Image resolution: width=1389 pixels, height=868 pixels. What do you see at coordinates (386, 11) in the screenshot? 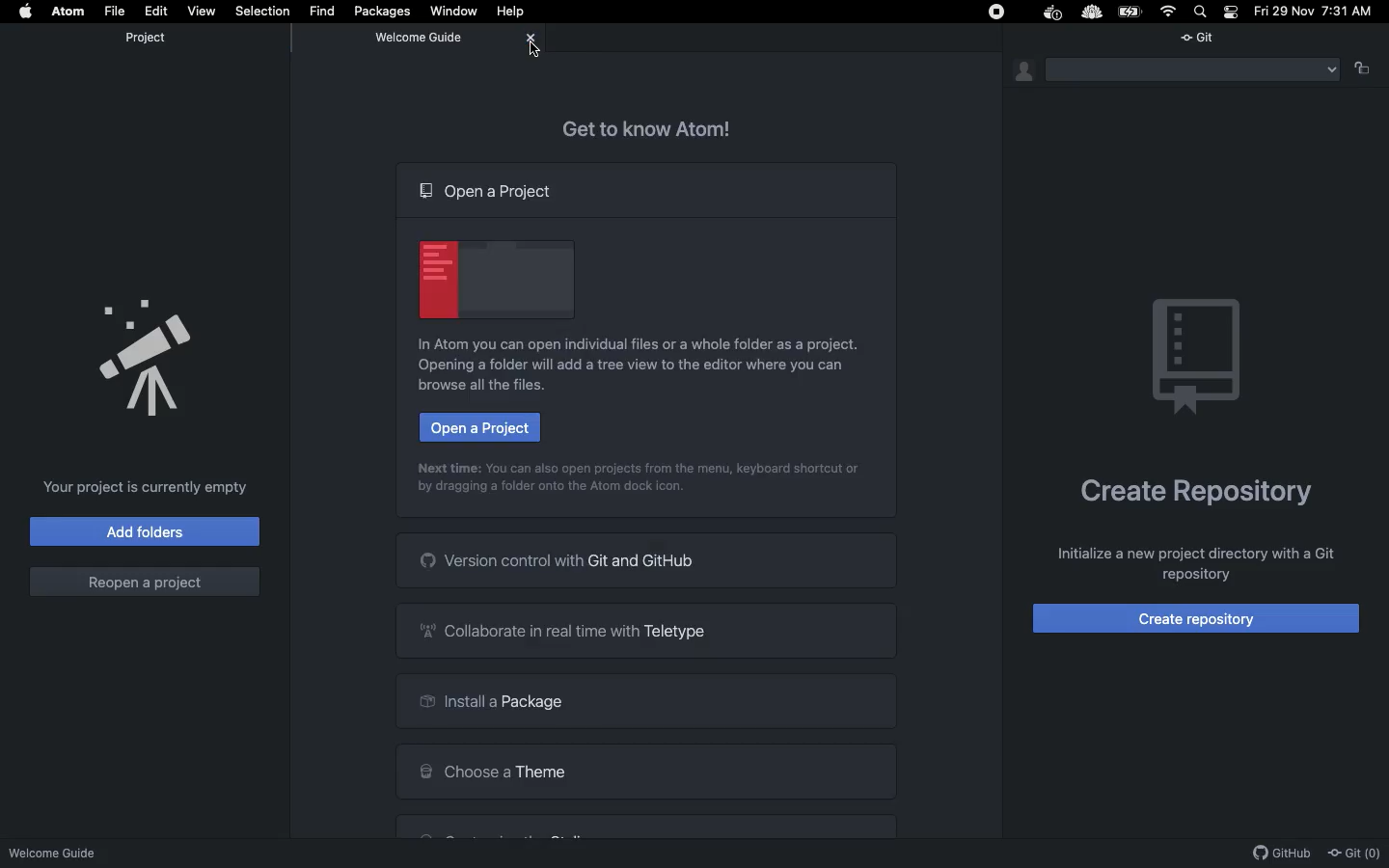
I see `Packages` at bounding box center [386, 11].